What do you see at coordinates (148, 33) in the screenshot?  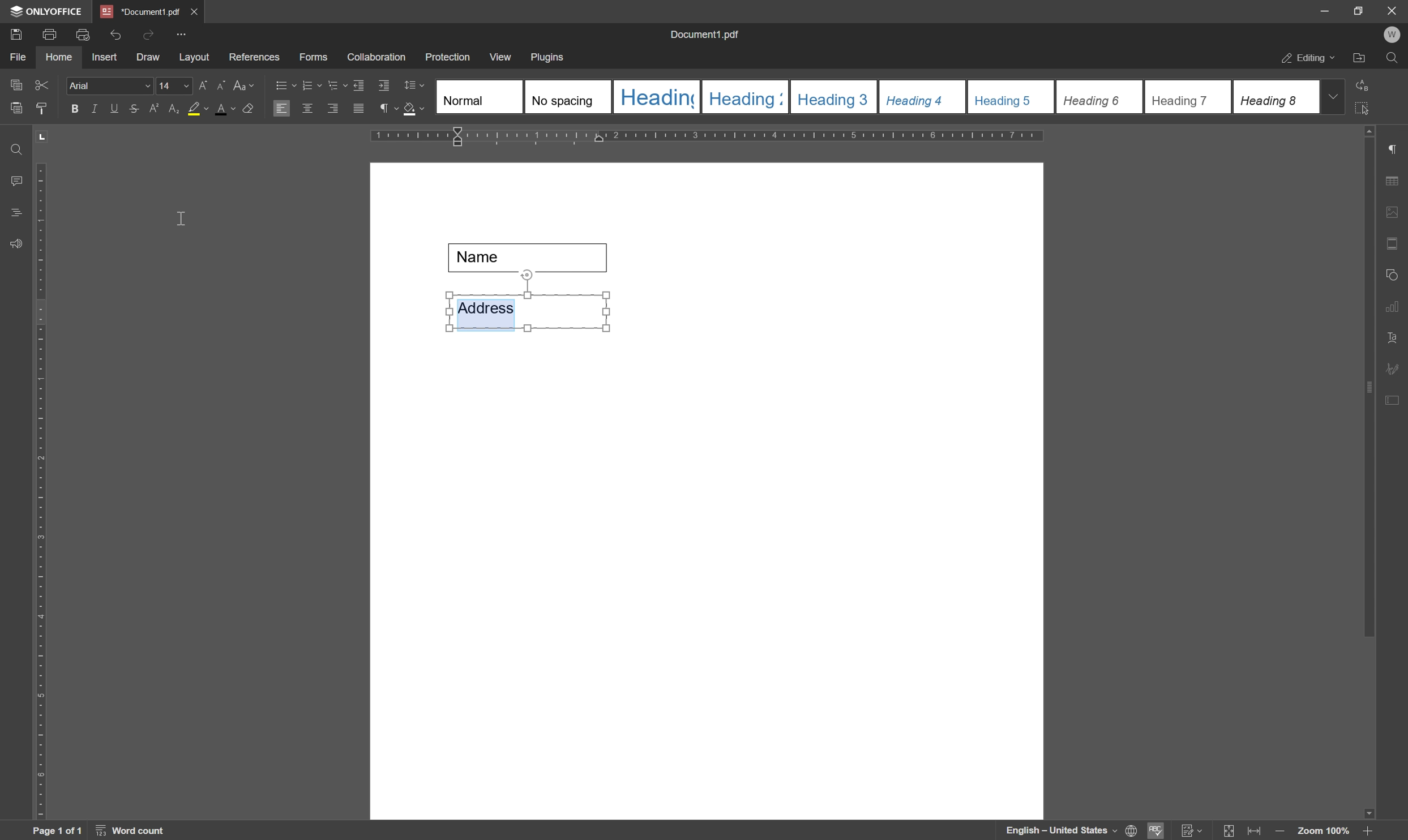 I see `redo` at bounding box center [148, 33].